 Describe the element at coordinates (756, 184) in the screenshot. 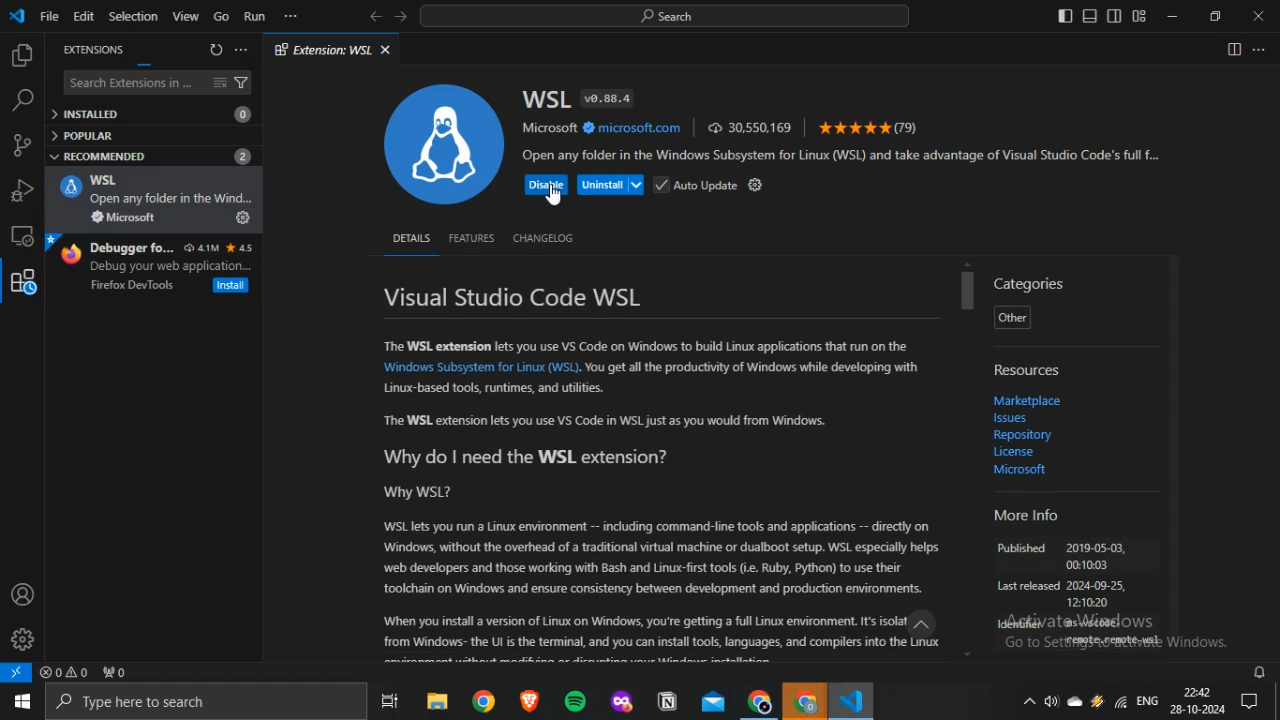

I see `settings` at that location.